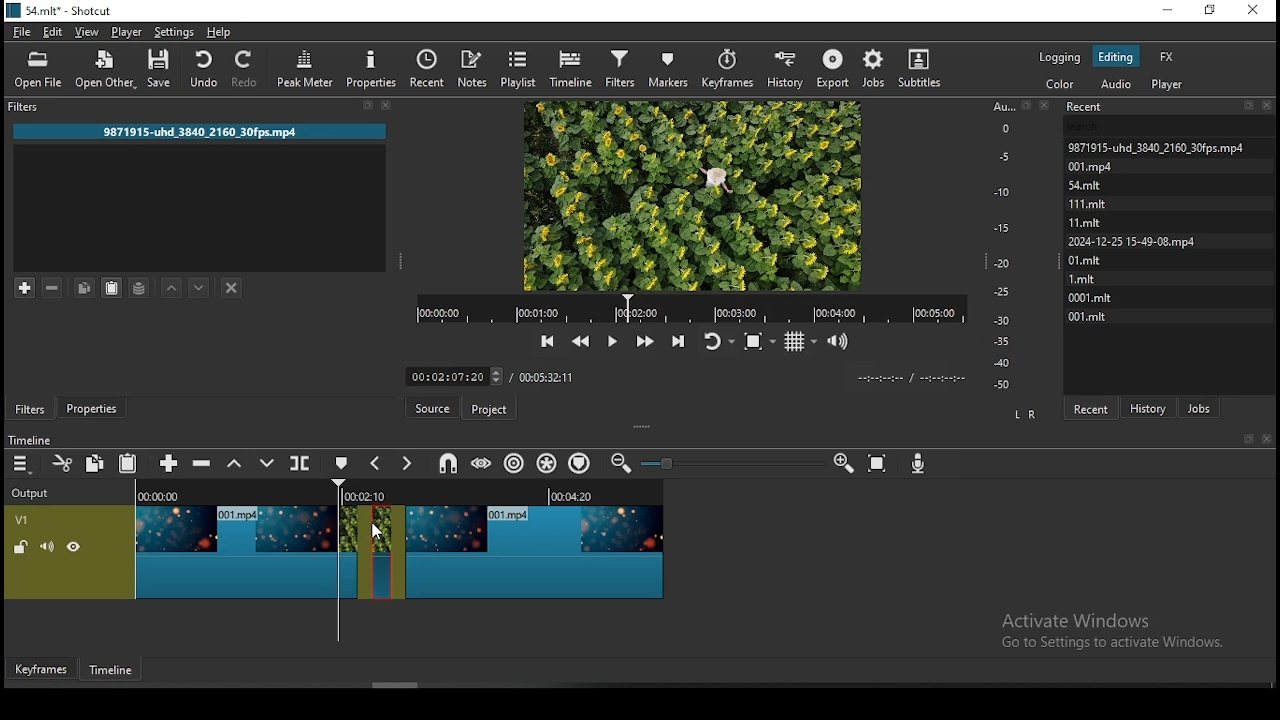 This screenshot has height=720, width=1280. Describe the element at coordinates (22, 33) in the screenshot. I see `file` at that location.